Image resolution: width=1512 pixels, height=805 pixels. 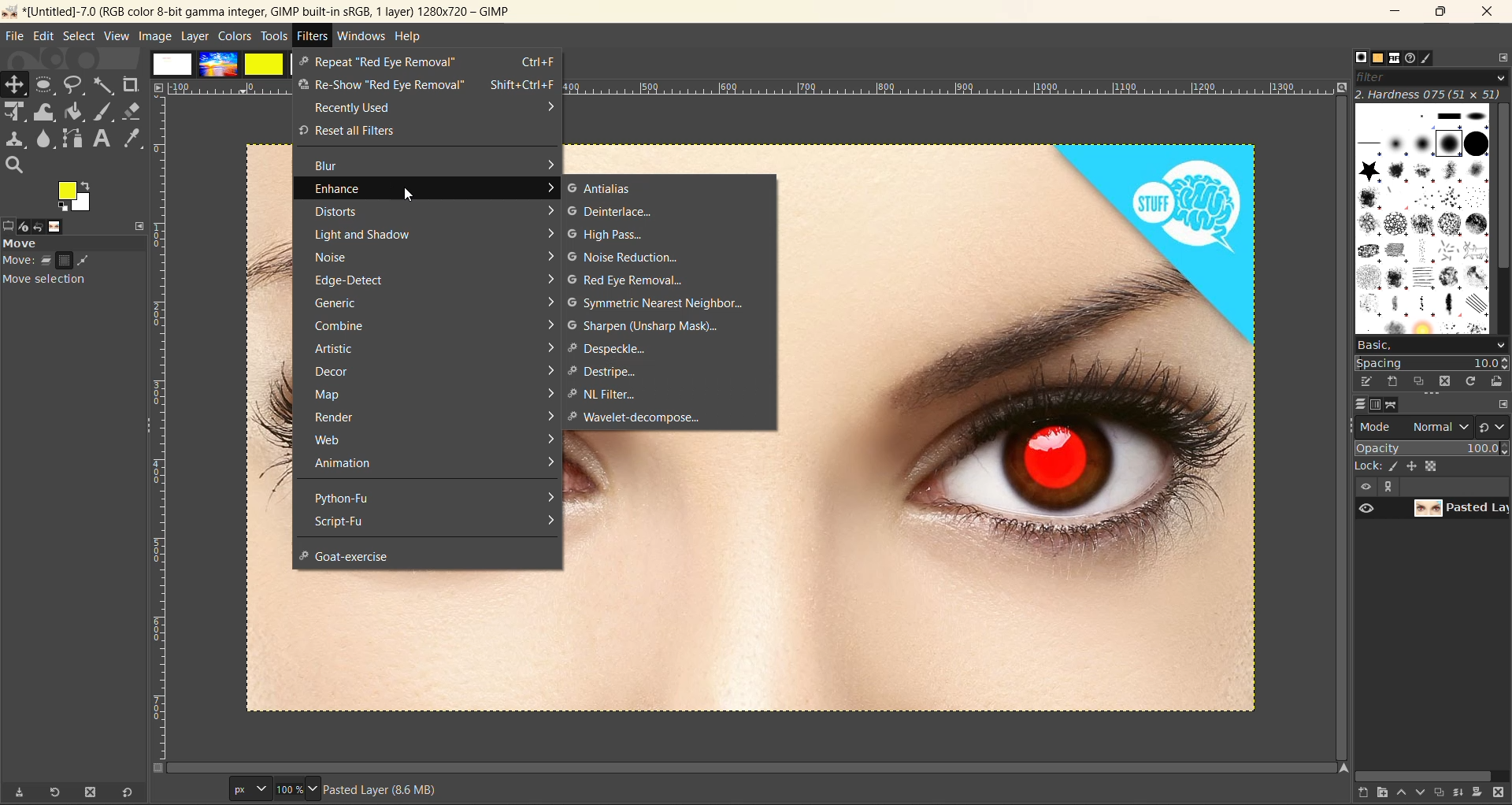 I want to click on mode, so click(x=1413, y=428).